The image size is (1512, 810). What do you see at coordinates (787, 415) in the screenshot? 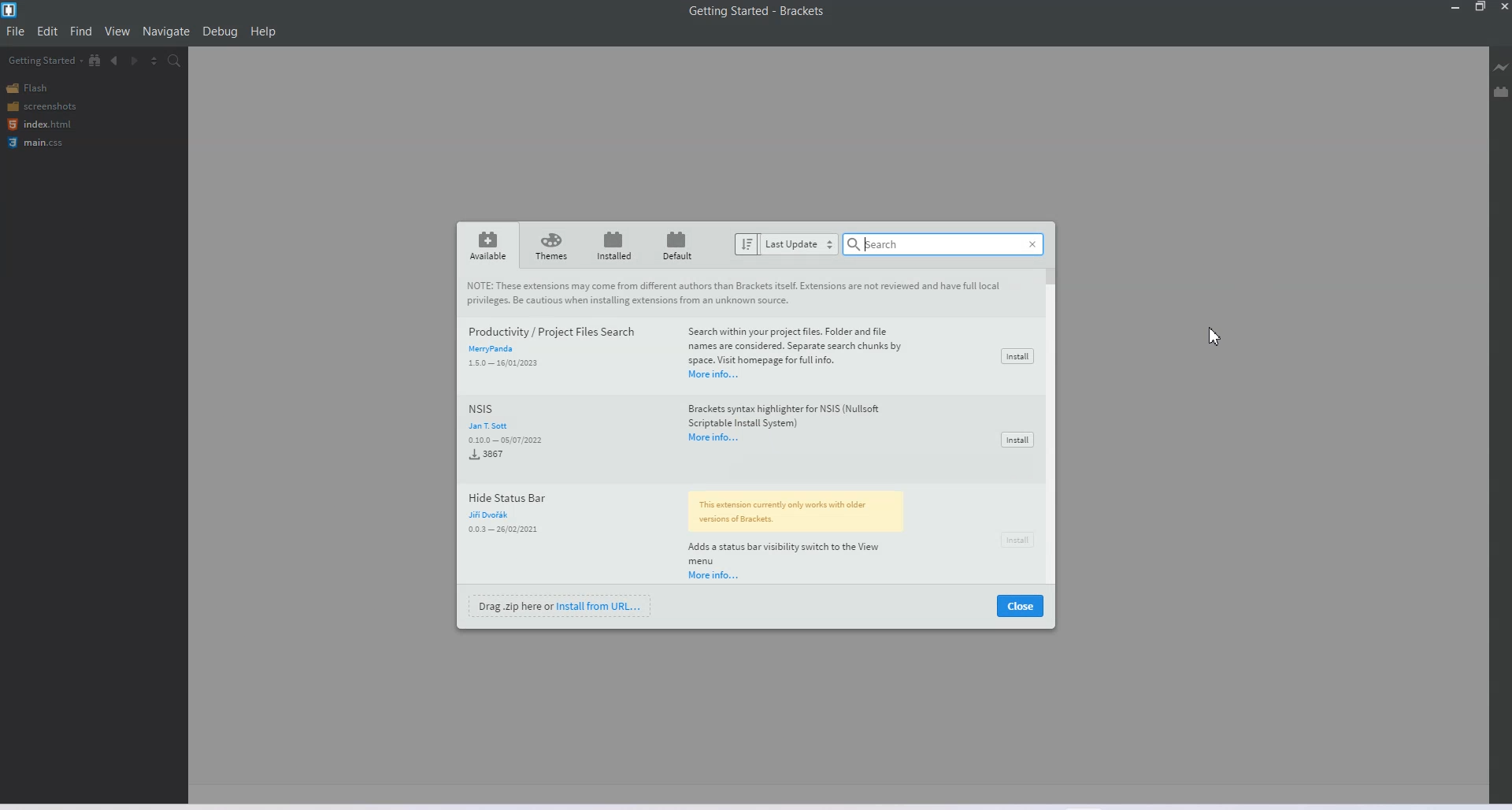
I see `extension information` at bounding box center [787, 415].